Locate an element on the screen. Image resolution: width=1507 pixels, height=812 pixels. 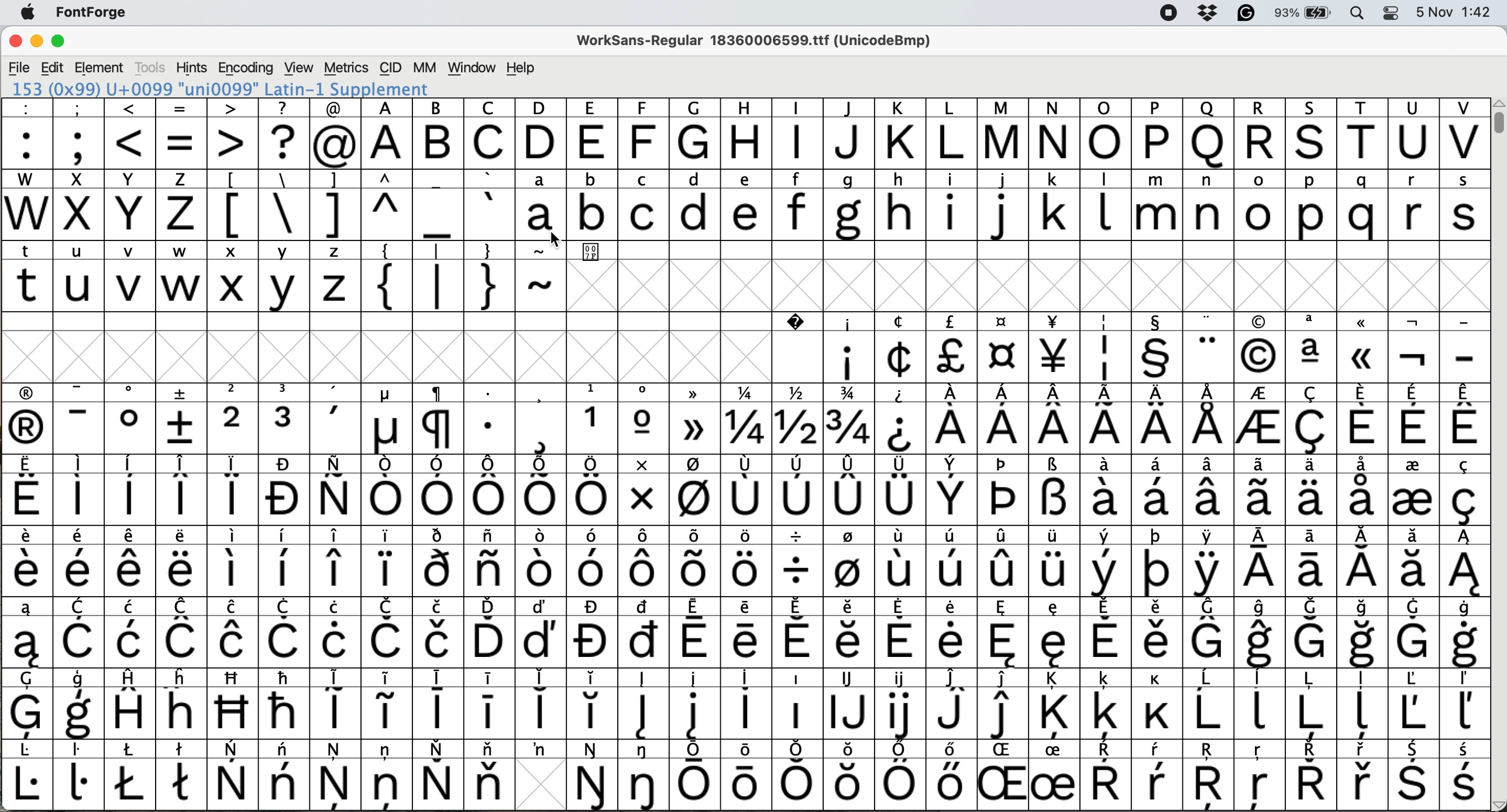
symbol is located at coordinates (902, 560).